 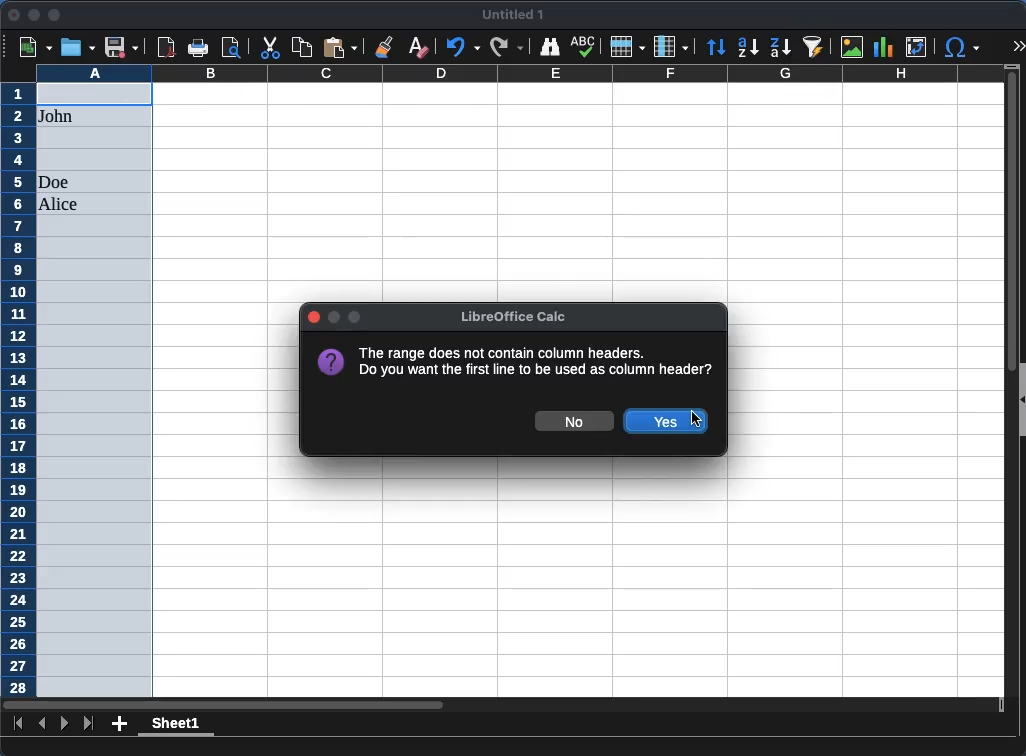 What do you see at coordinates (505, 48) in the screenshot?
I see `redo` at bounding box center [505, 48].